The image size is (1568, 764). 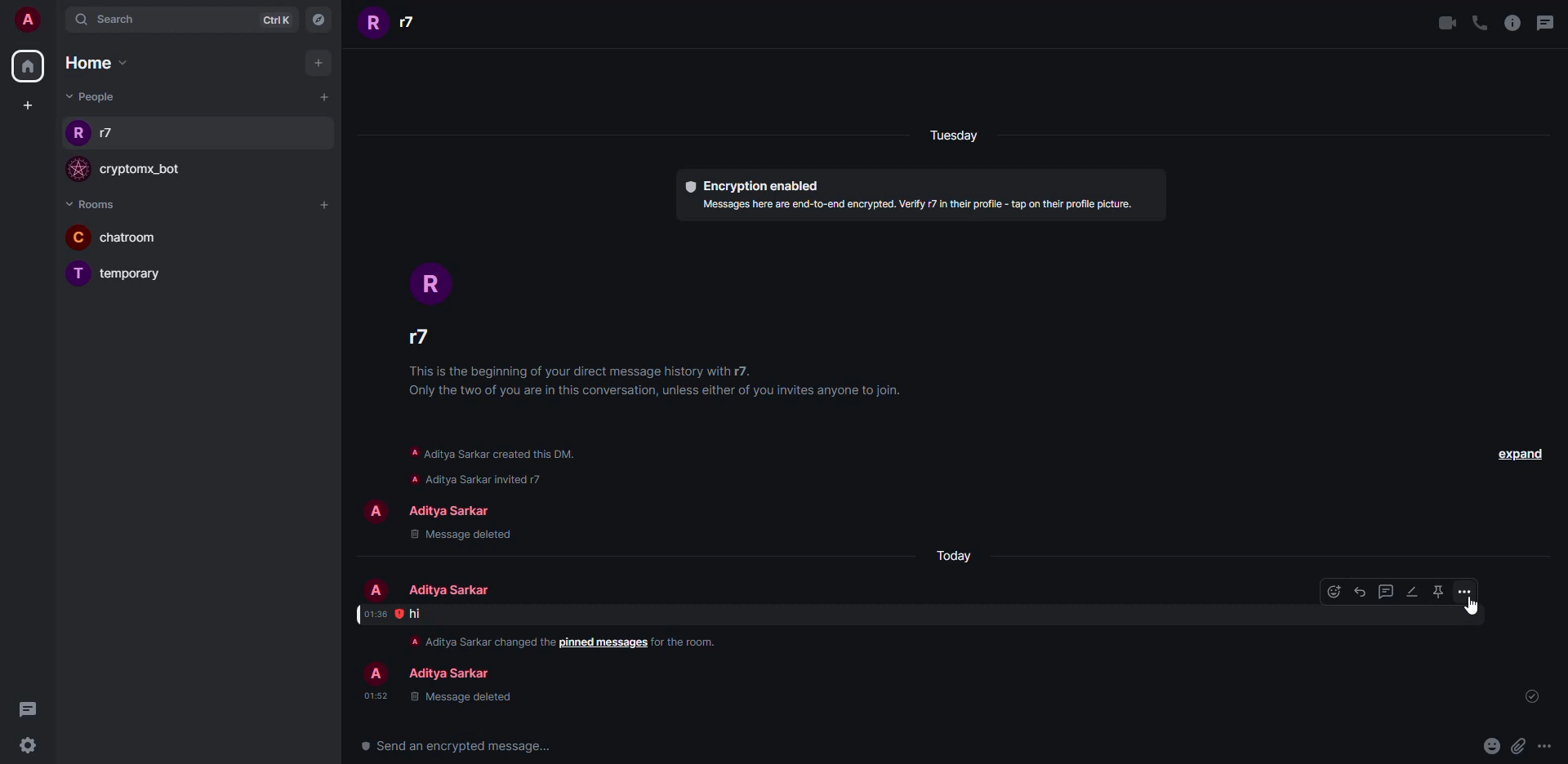 I want to click on profile, so click(x=79, y=273).